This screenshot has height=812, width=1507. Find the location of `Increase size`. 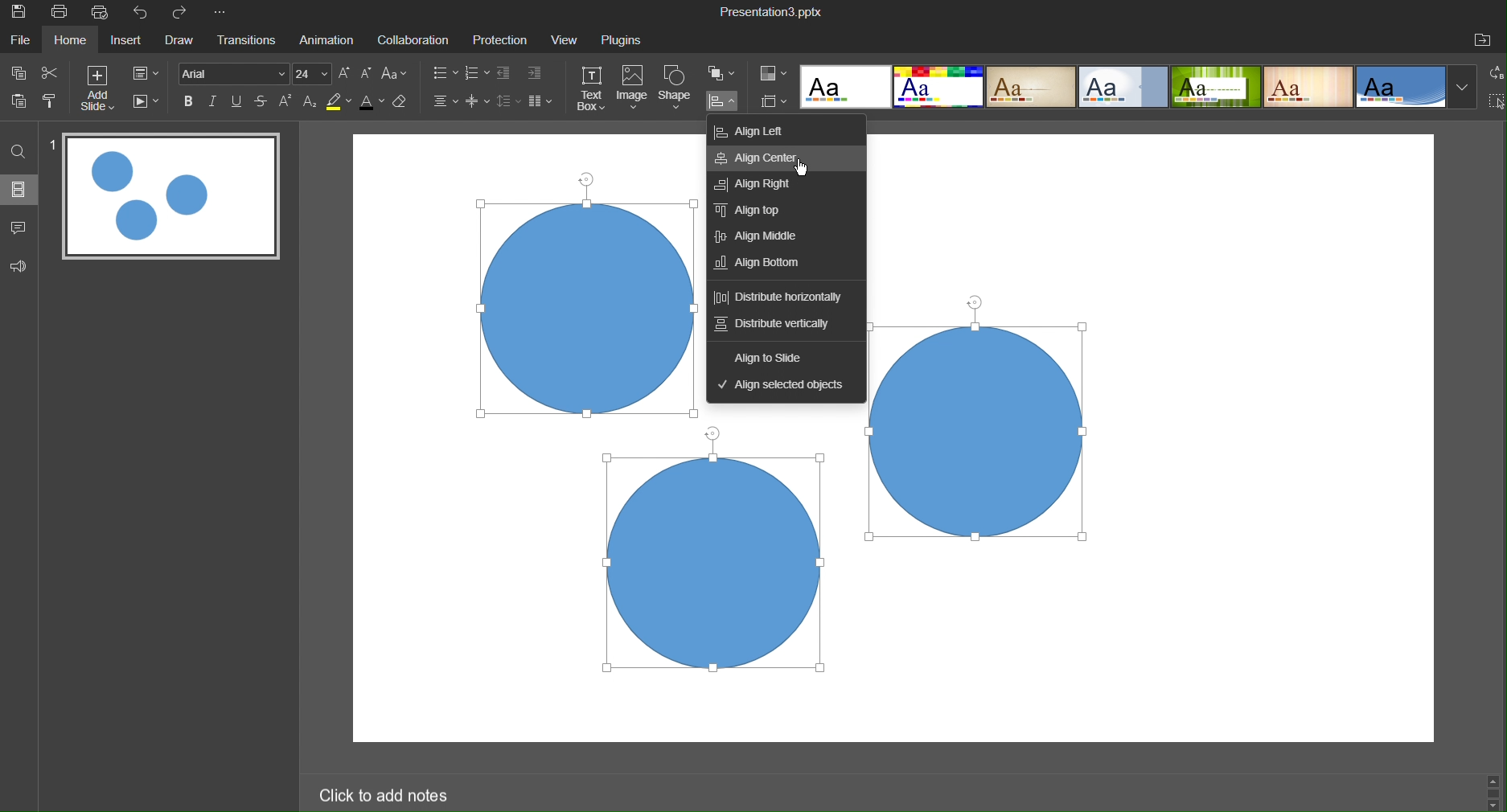

Increase size is located at coordinates (345, 73).